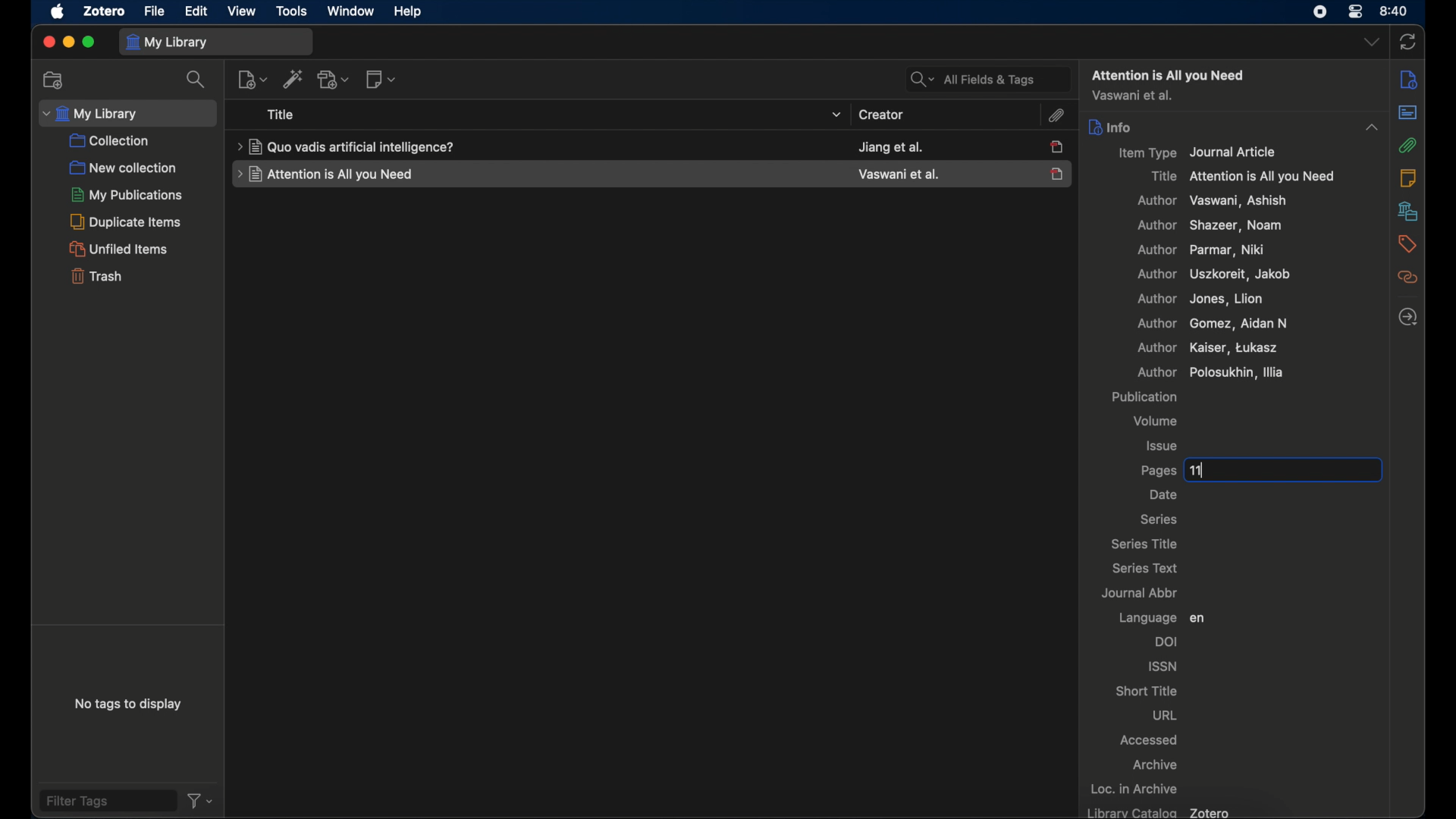  What do you see at coordinates (1144, 567) in the screenshot?
I see `series text` at bounding box center [1144, 567].